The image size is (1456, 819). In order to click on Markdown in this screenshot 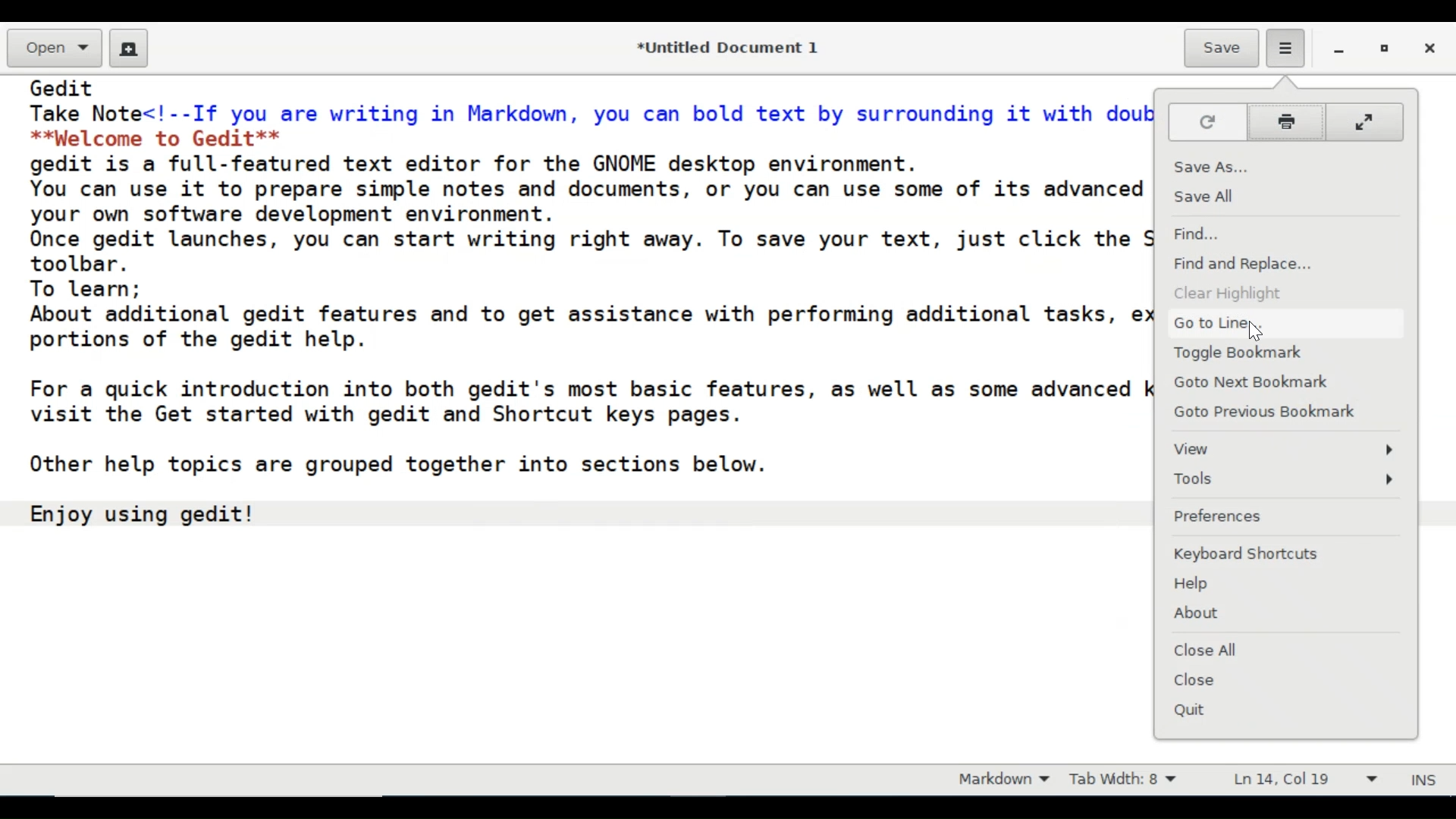, I will do `click(999, 780)`.